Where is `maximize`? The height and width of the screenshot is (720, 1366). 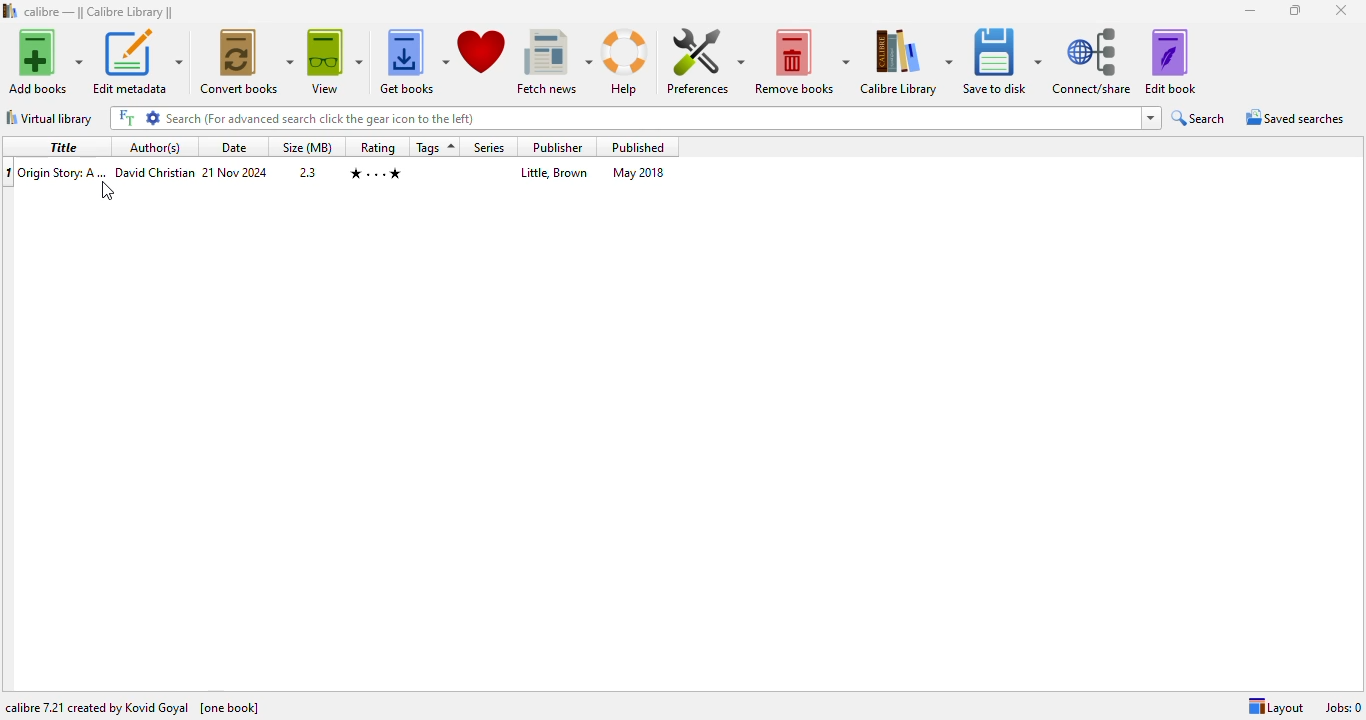 maximize is located at coordinates (1294, 10).